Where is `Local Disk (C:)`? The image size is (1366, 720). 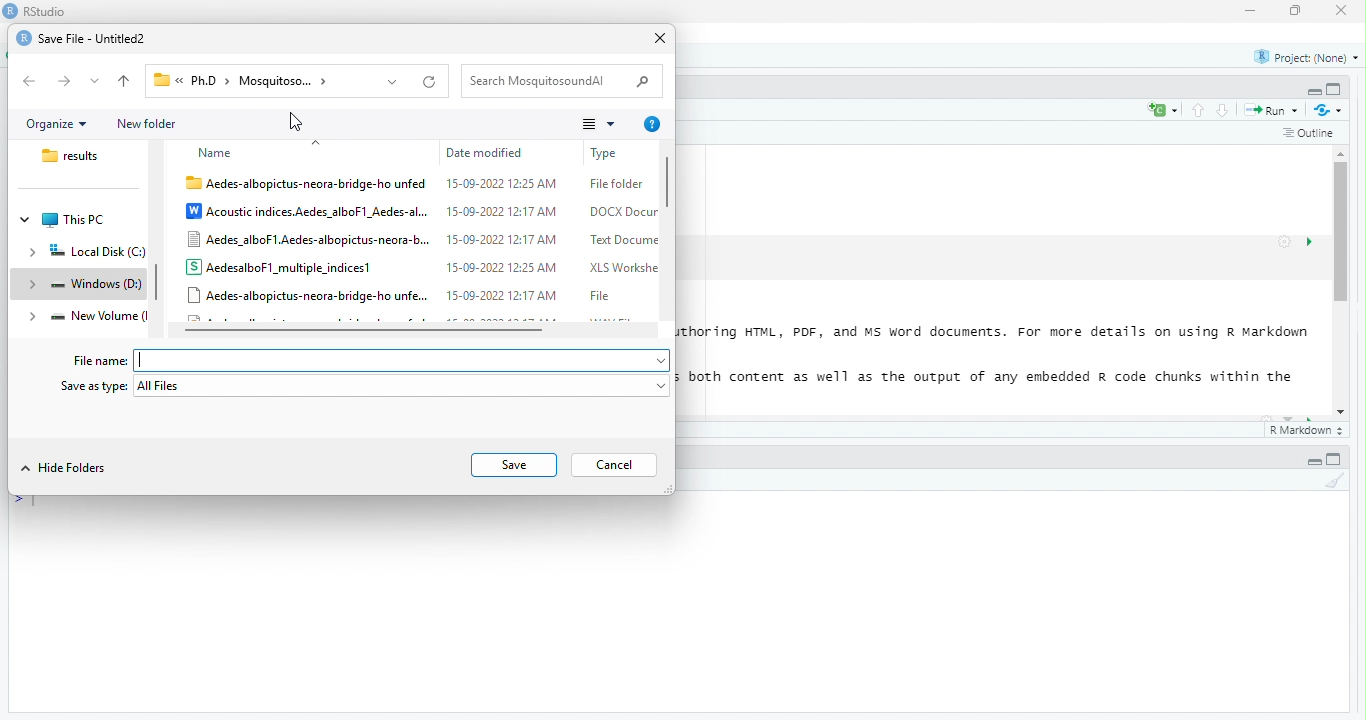
Local Disk (C:) is located at coordinates (96, 252).